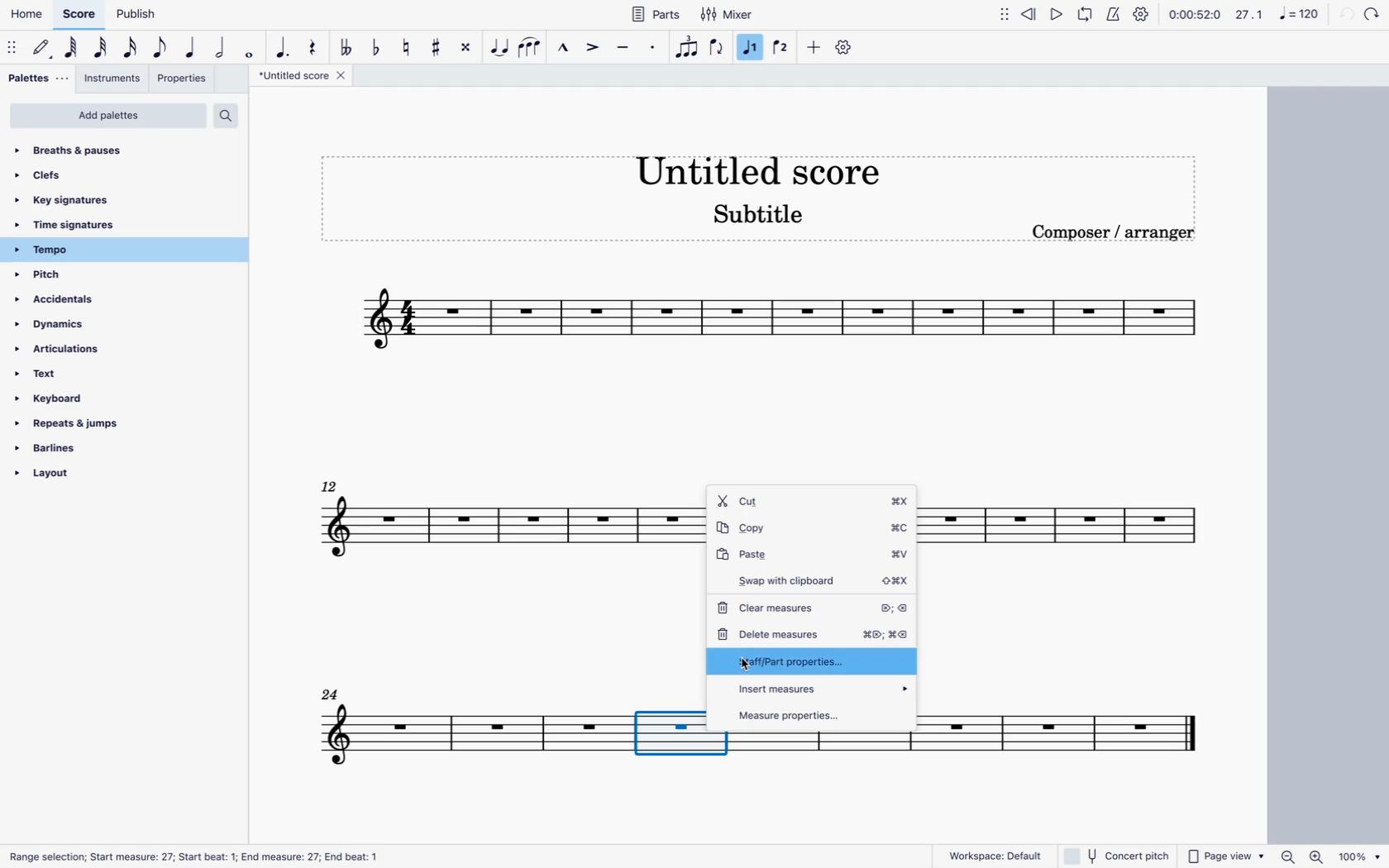 The image size is (1389, 868). I want to click on score title, so click(294, 75).